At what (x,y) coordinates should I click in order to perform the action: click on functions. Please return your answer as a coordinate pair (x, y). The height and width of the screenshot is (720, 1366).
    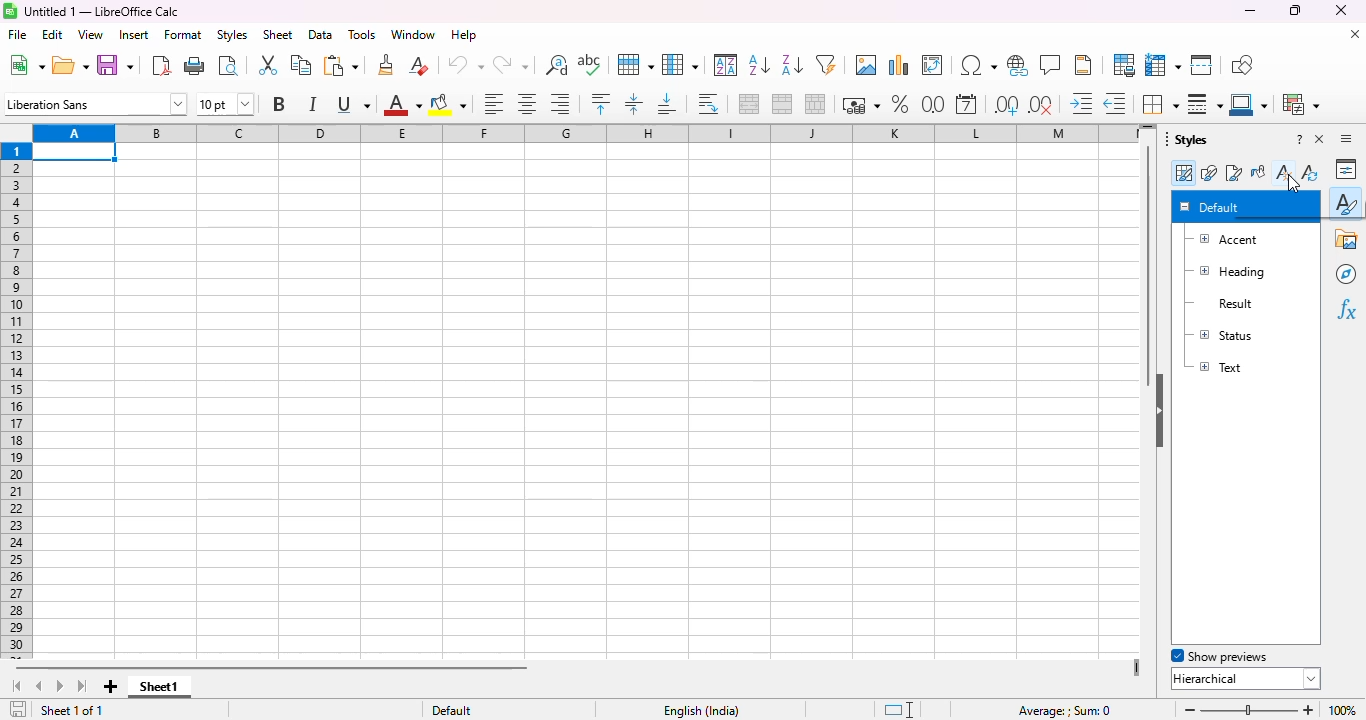
    Looking at the image, I should click on (1346, 310).